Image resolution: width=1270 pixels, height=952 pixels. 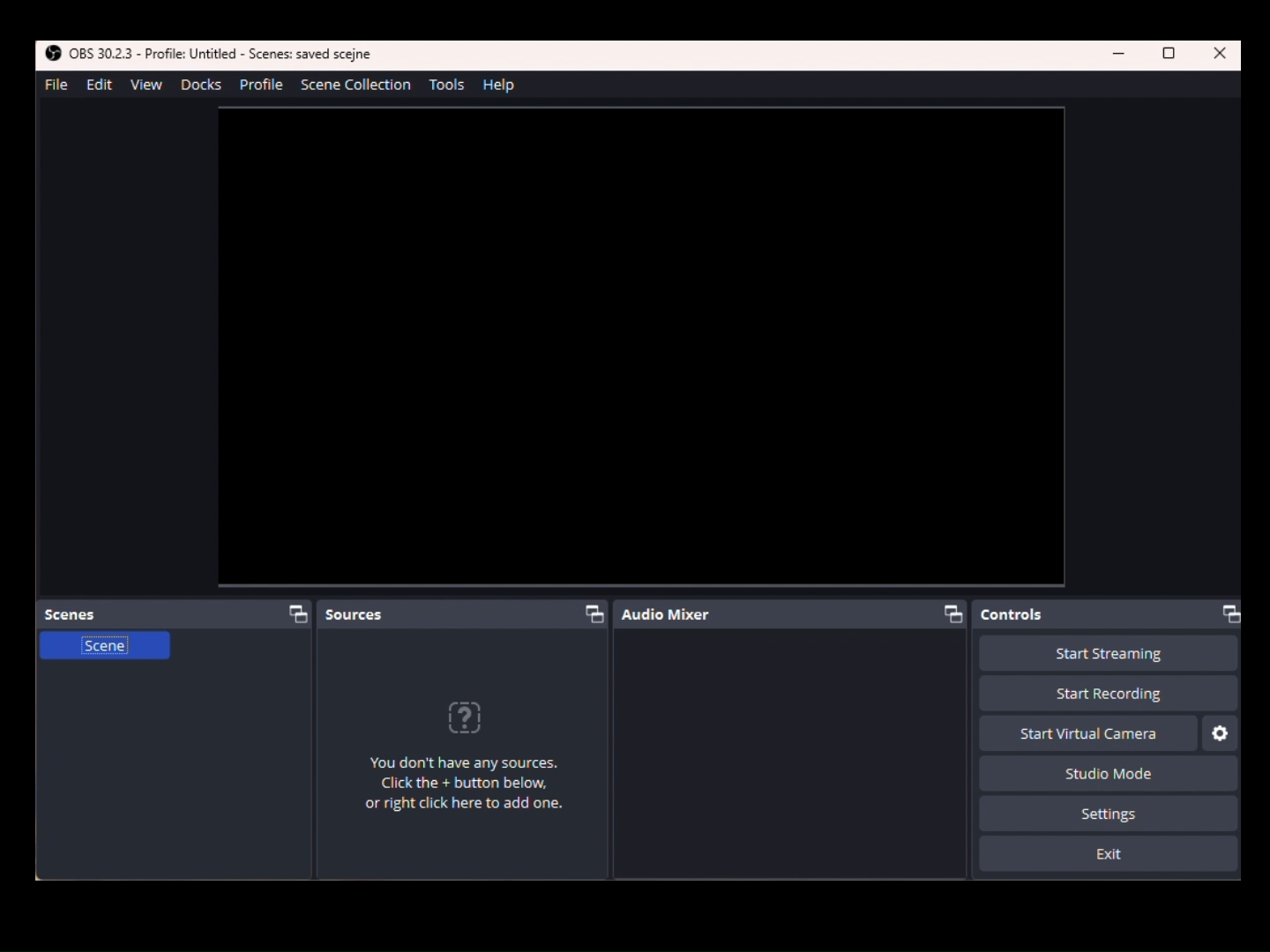 I want to click on Tools, so click(x=451, y=85).